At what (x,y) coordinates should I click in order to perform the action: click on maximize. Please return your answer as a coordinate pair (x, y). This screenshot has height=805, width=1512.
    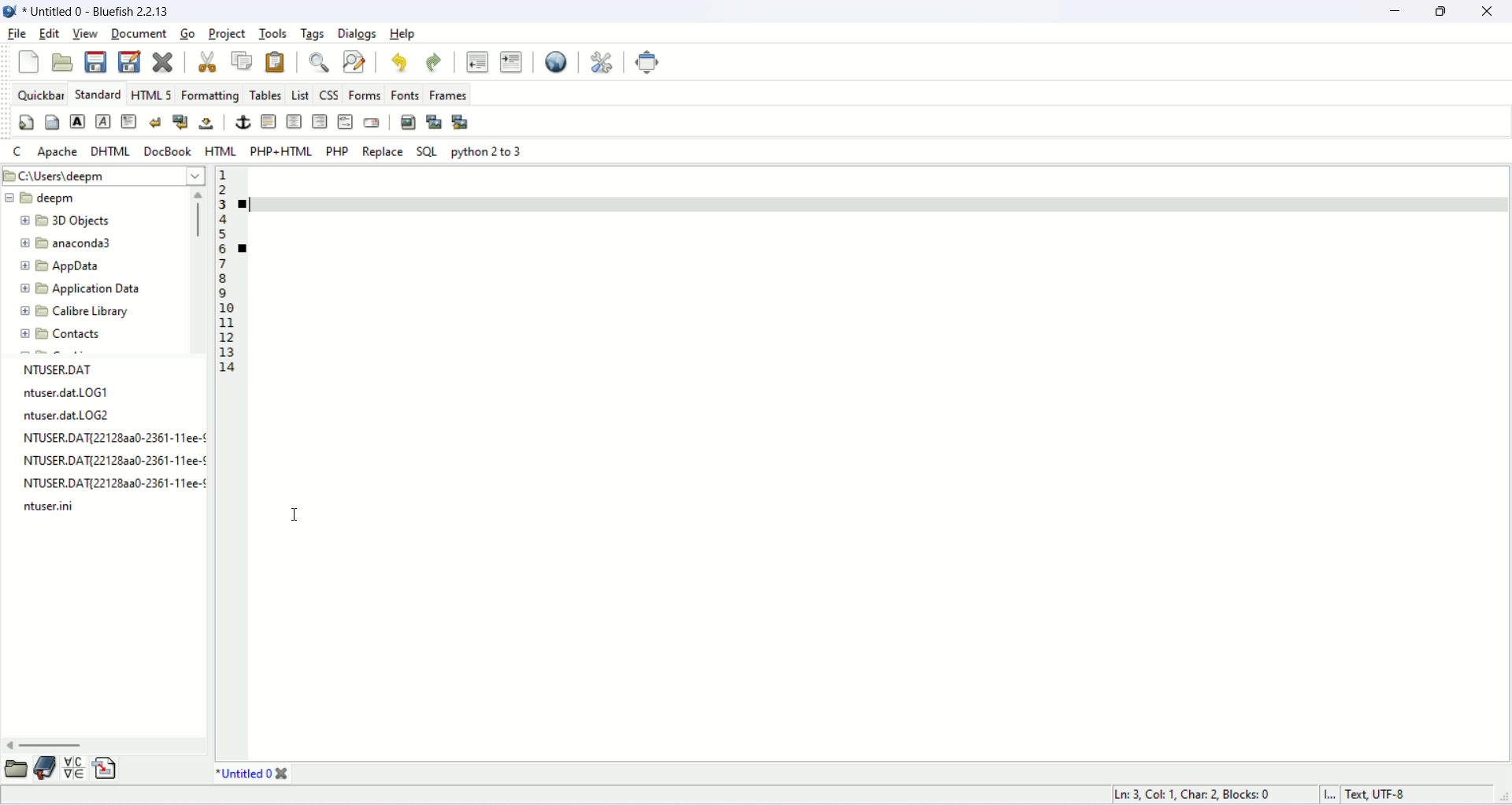
    Looking at the image, I should click on (1445, 12).